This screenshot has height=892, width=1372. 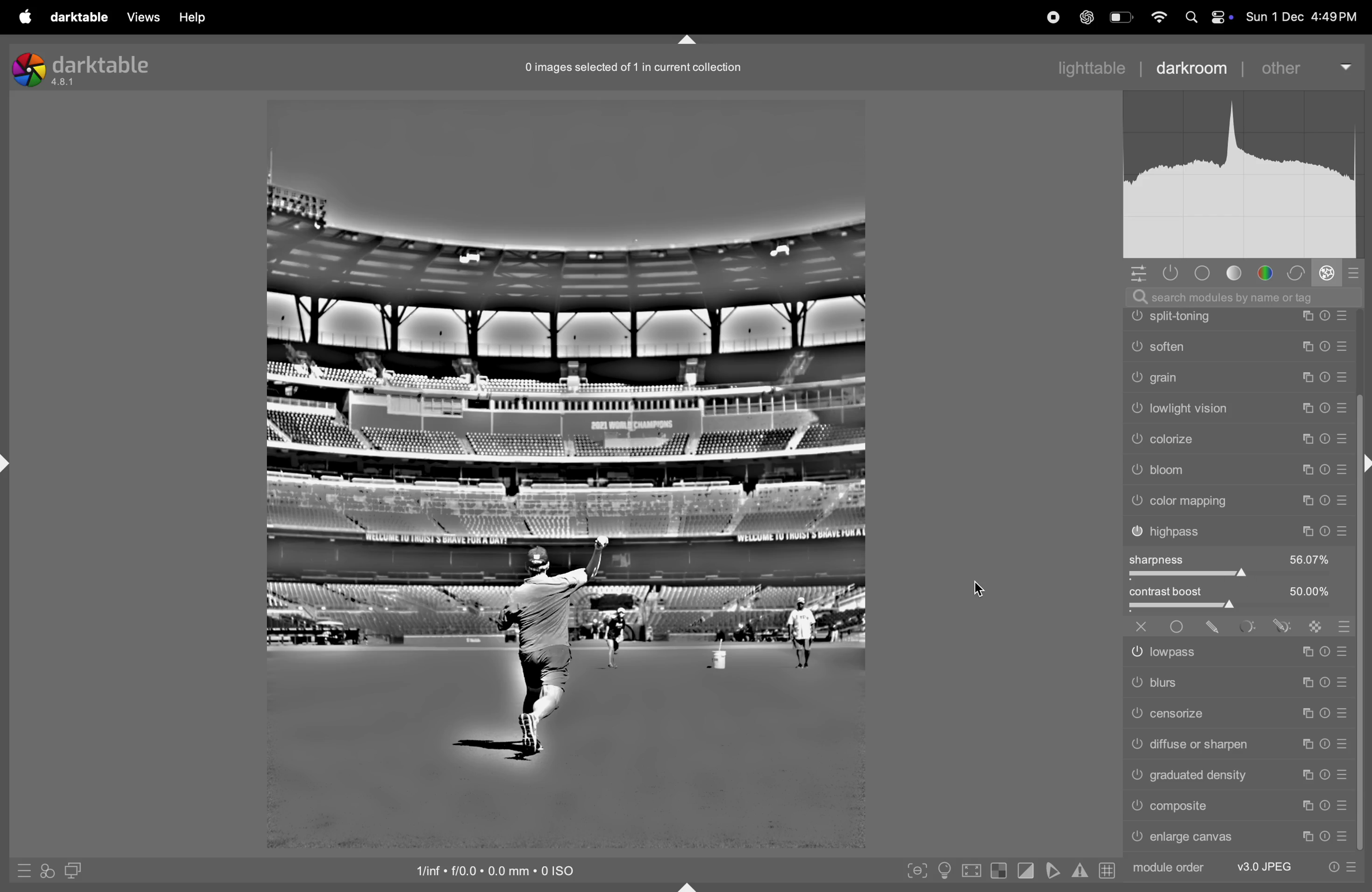 What do you see at coordinates (1327, 272) in the screenshot?
I see `effect` at bounding box center [1327, 272].